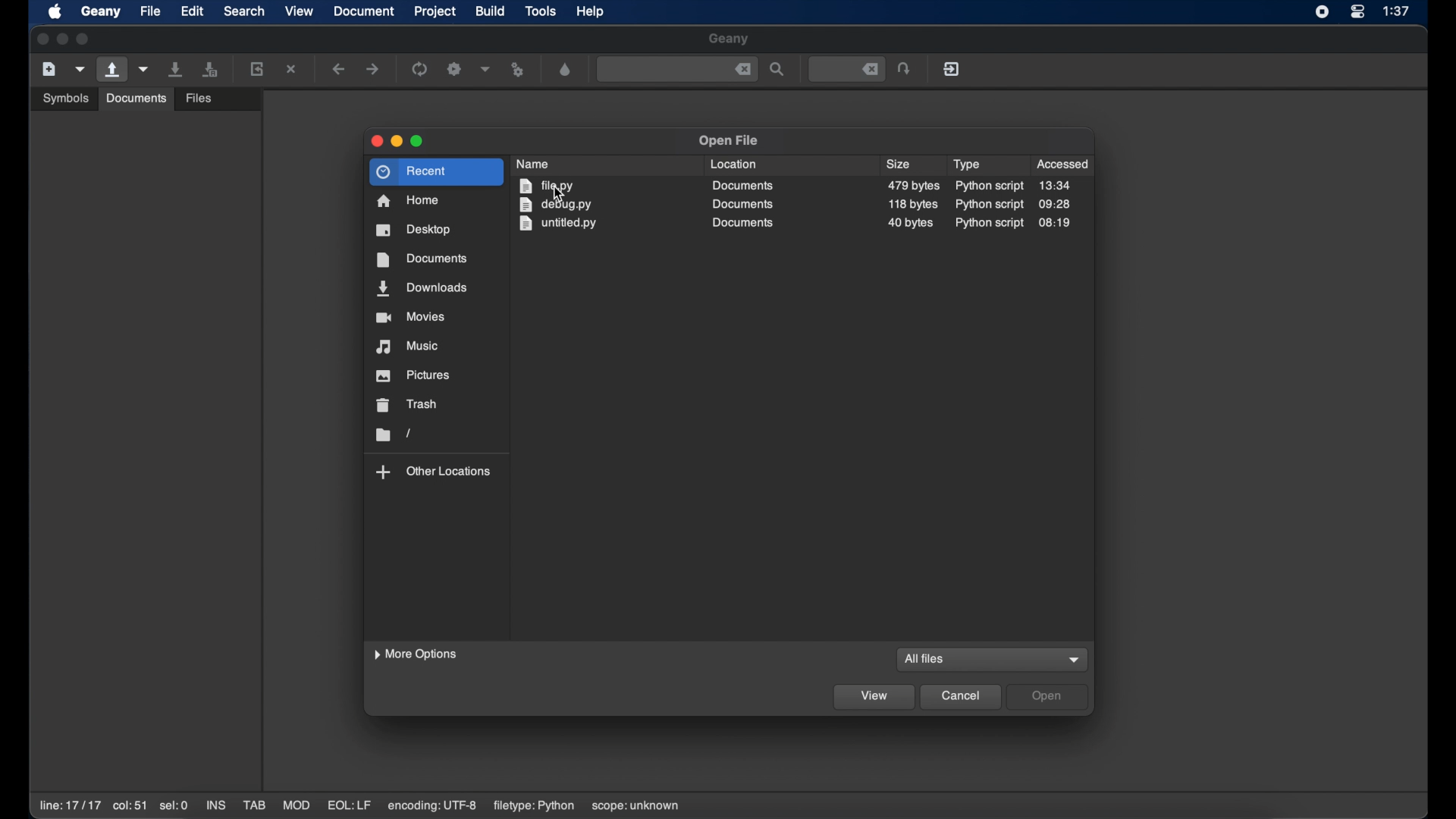  I want to click on line 17/17, so click(69, 805).